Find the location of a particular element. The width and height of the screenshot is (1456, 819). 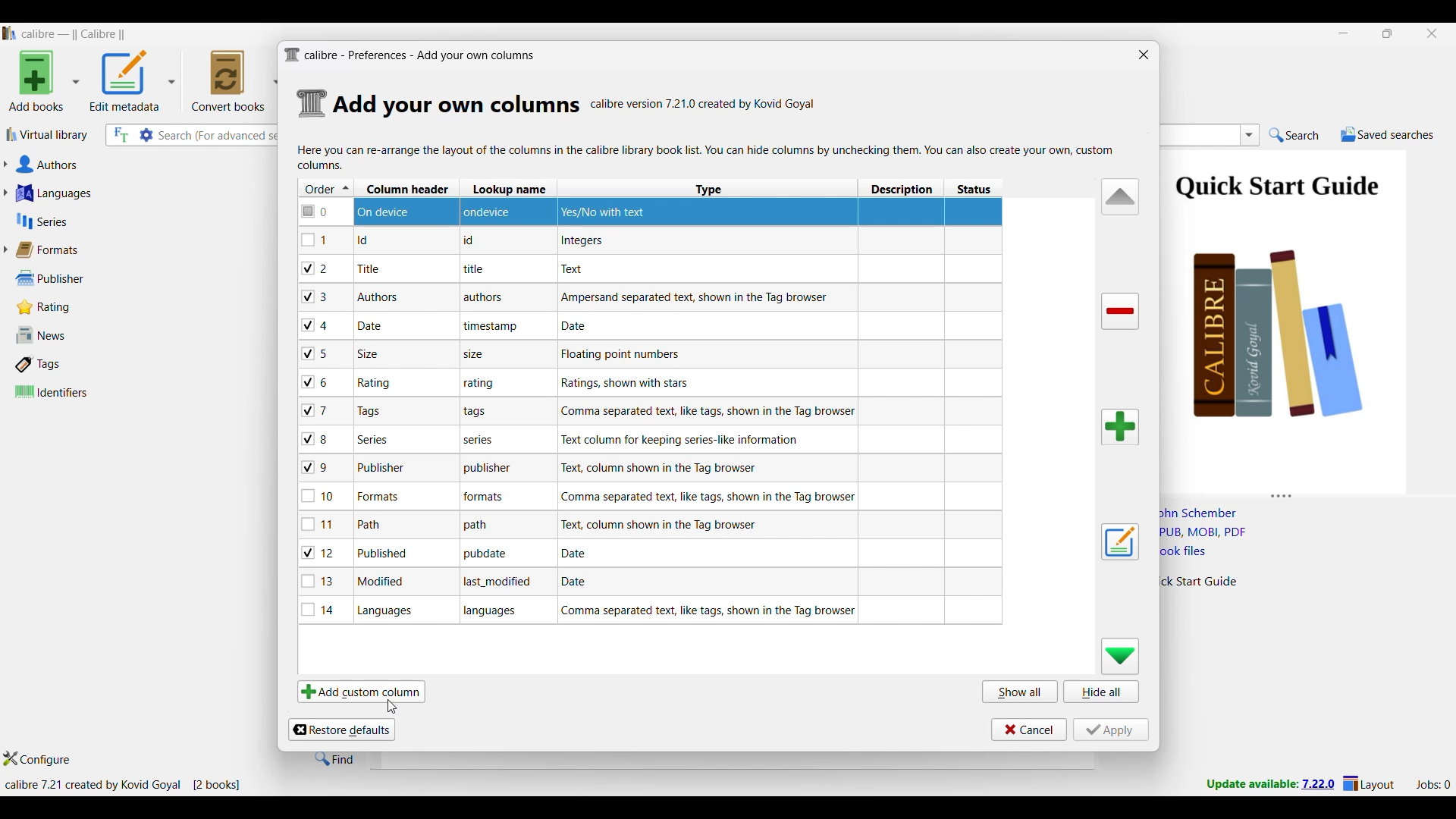

Publisher is located at coordinates (67, 278).